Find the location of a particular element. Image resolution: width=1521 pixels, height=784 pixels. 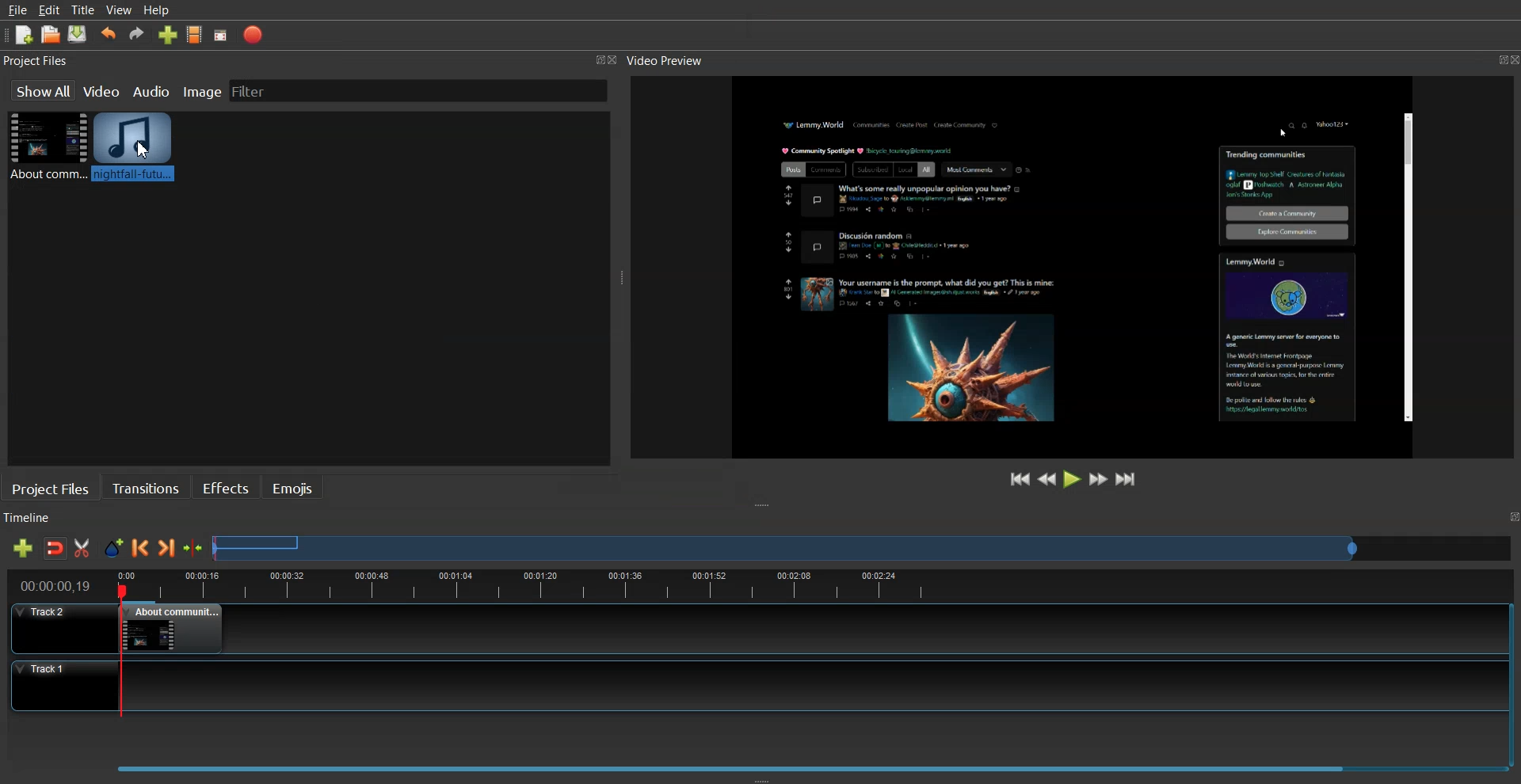

Previous Marker is located at coordinates (140, 547).